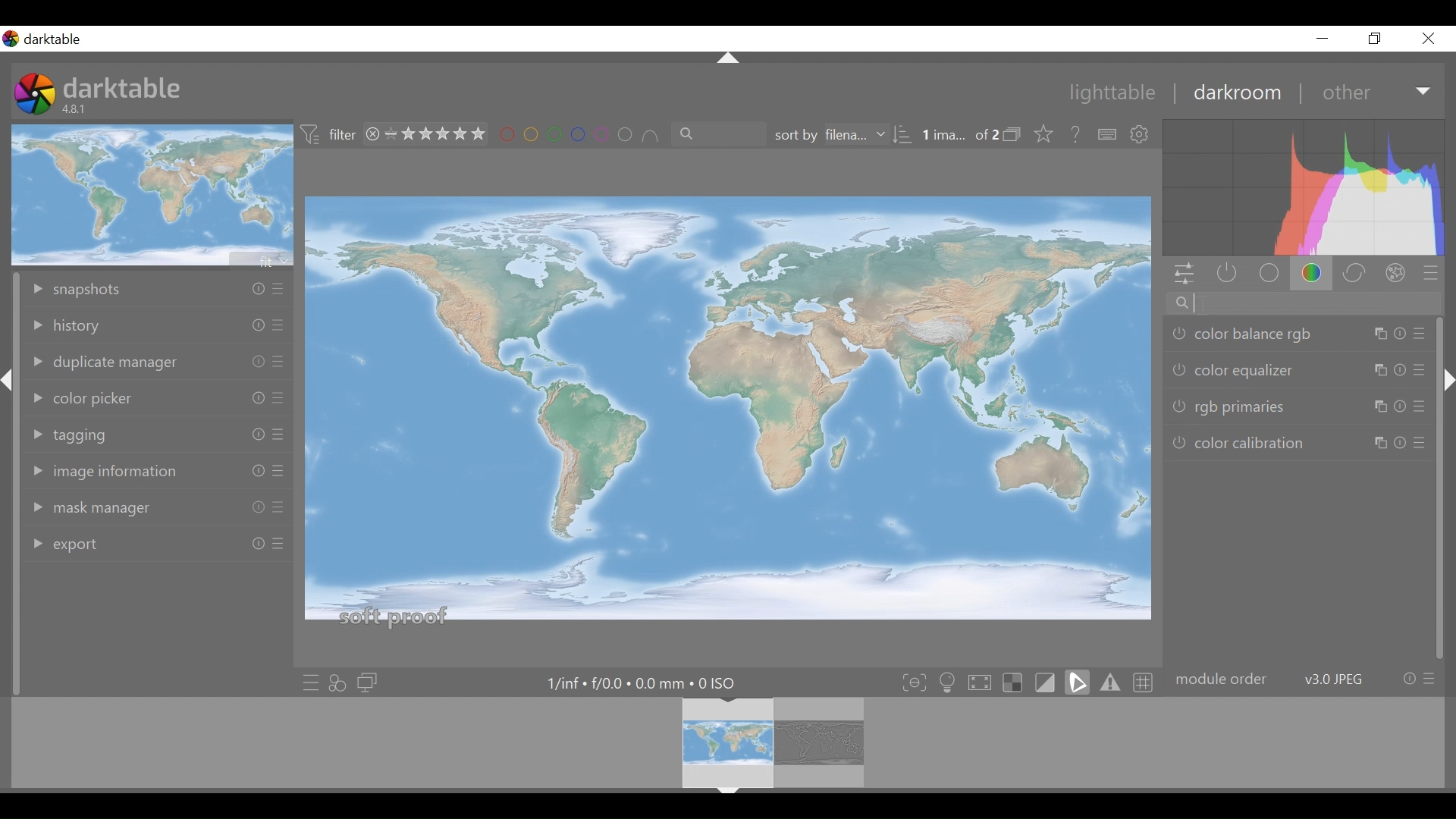 The height and width of the screenshot is (819, 1456). I want to click on other, so click(1345, 93).